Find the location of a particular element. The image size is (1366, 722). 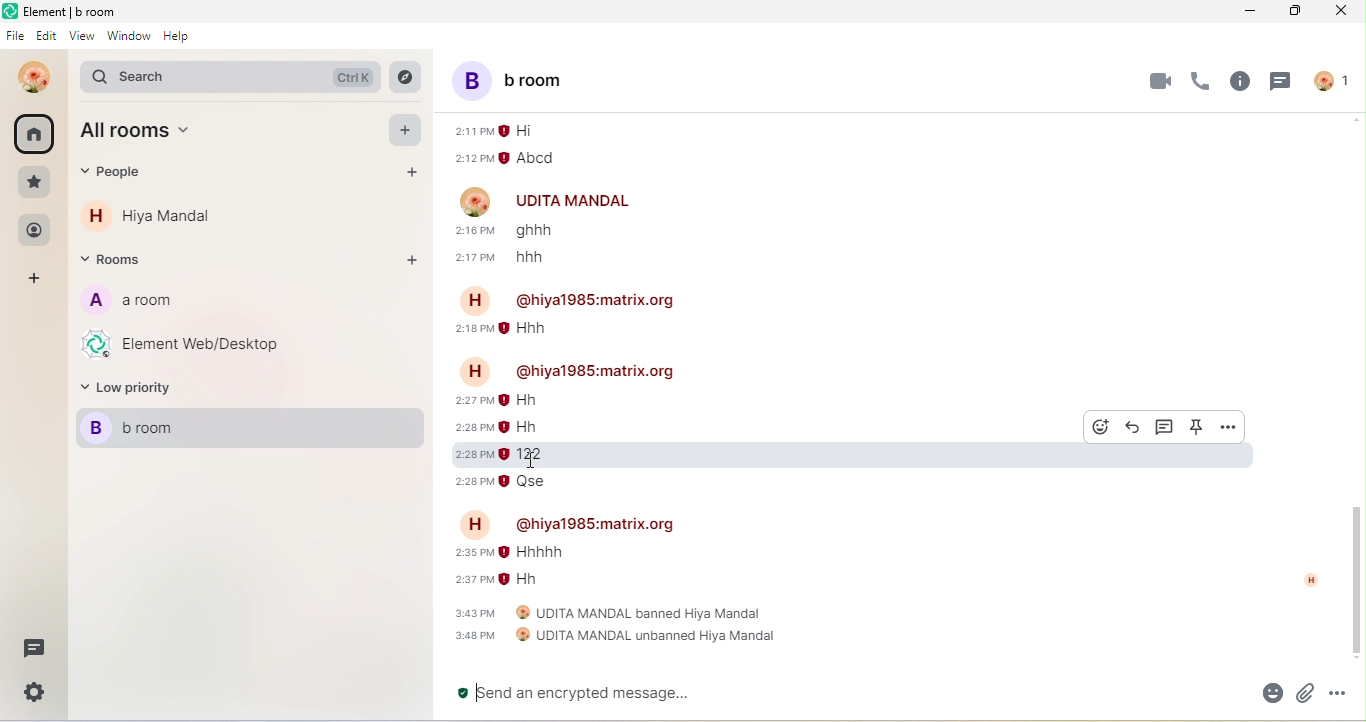

2:18 pm Hhh is located at coordinates (500, 329).